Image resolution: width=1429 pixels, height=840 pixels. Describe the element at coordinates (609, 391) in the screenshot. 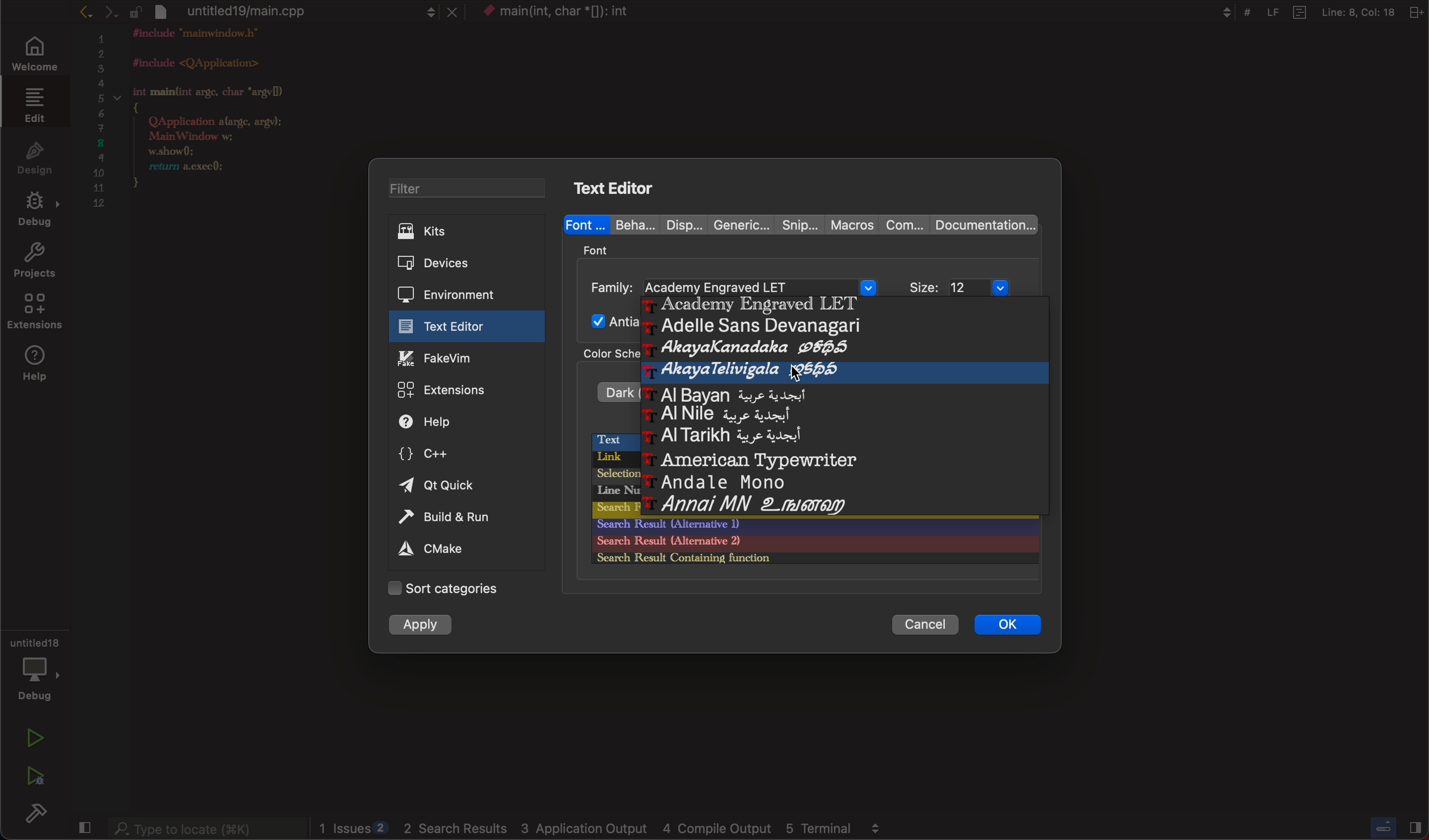

I see `dark 2024` at that location.